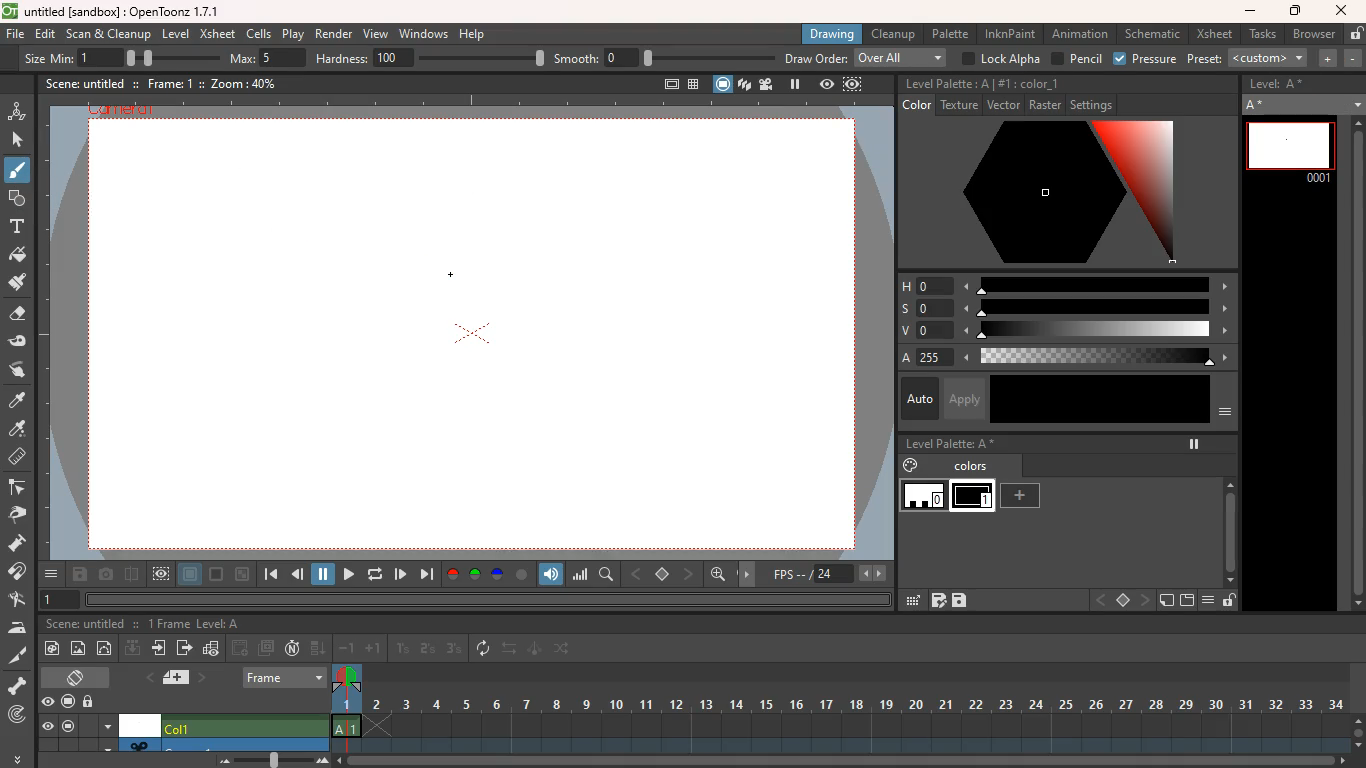 The width and height of the screenshot is (1366, 768). What do you see at coordinates (346, 574) in the screenshot?
I see `forward` at bounding box center [346, 574].